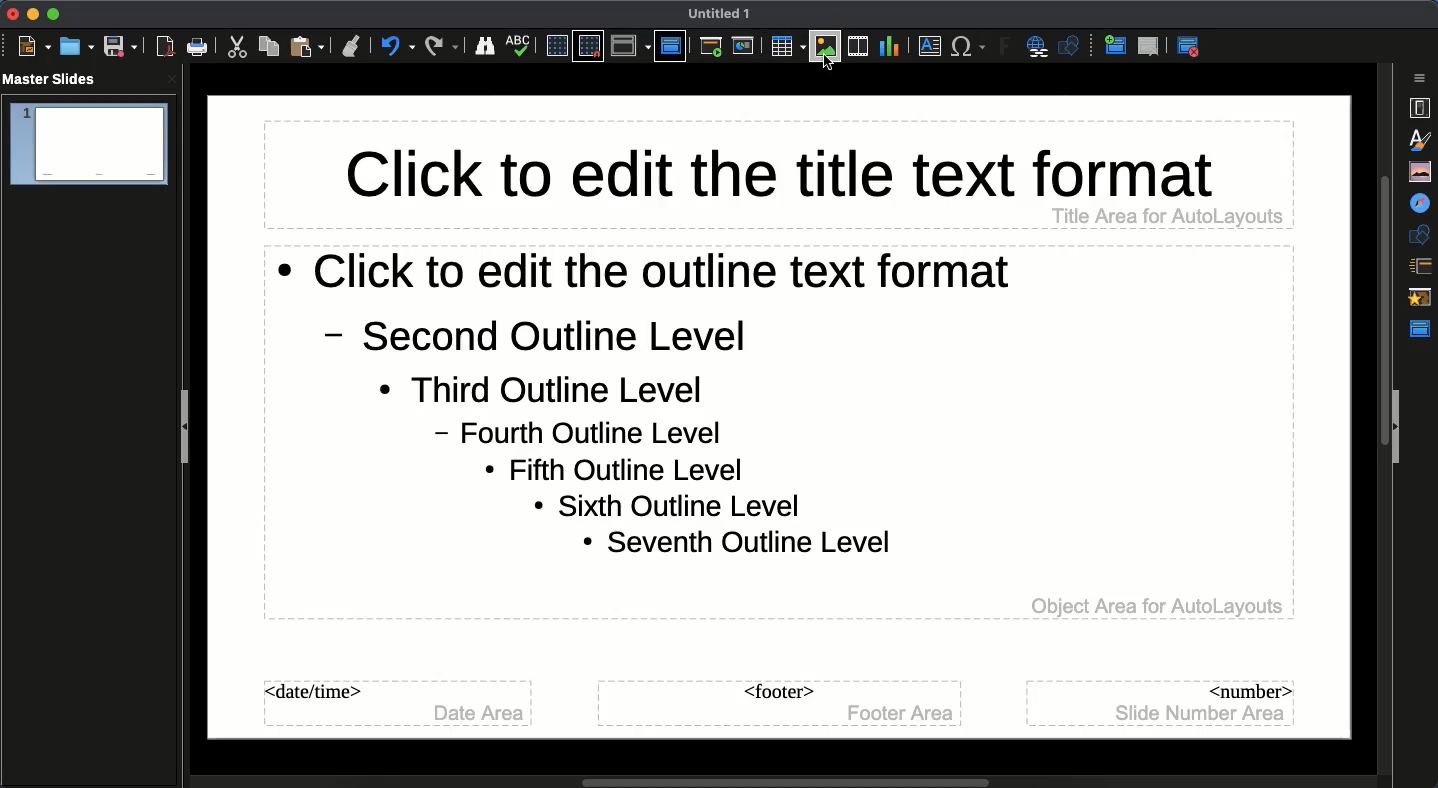 This screenshot has height=788, width=1438. Describe the element at coordinates (88, 145) in the screenshot. I see `slide 1` at that location.